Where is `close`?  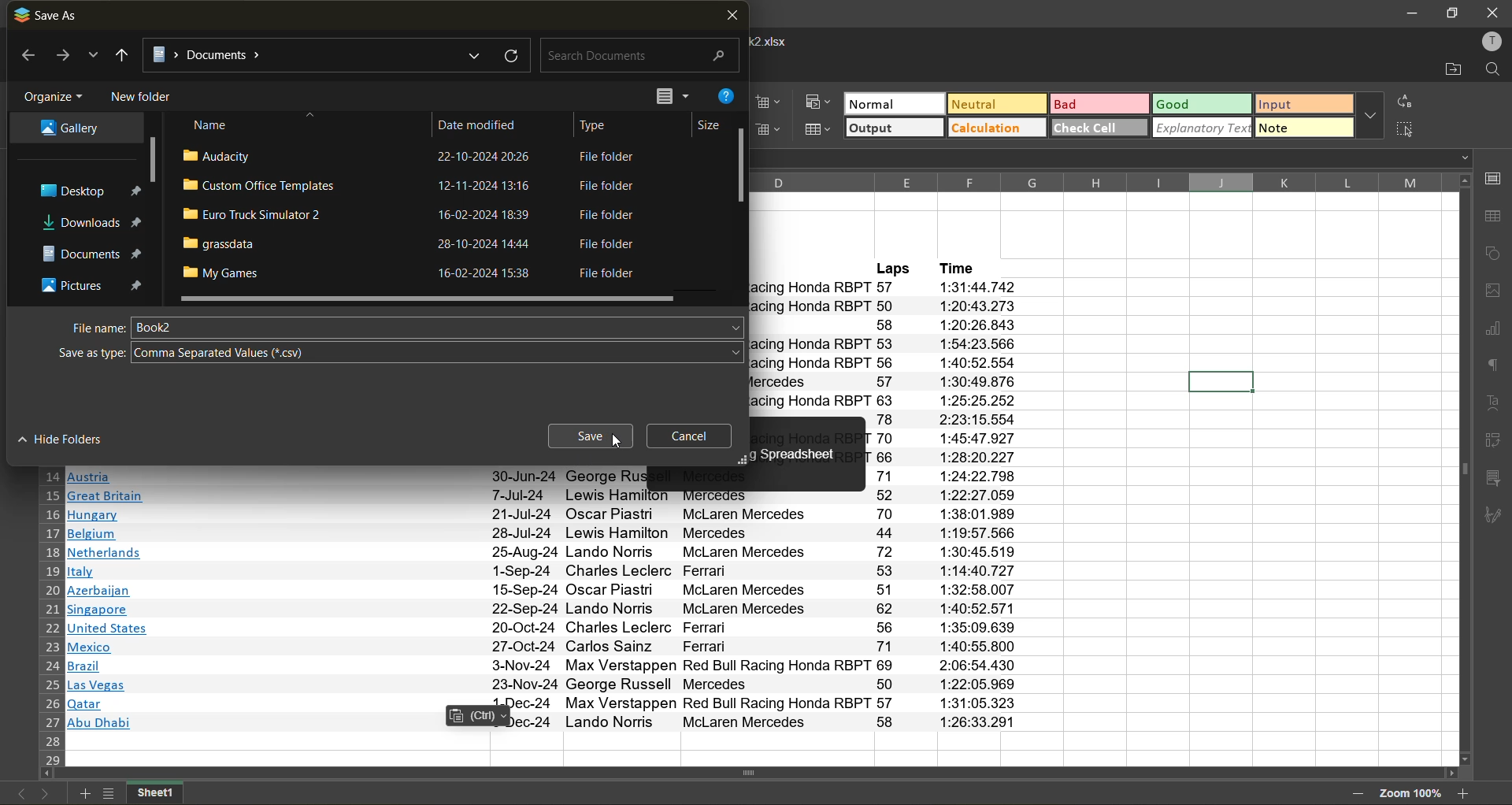 close is located at coordinates (1493, 12).